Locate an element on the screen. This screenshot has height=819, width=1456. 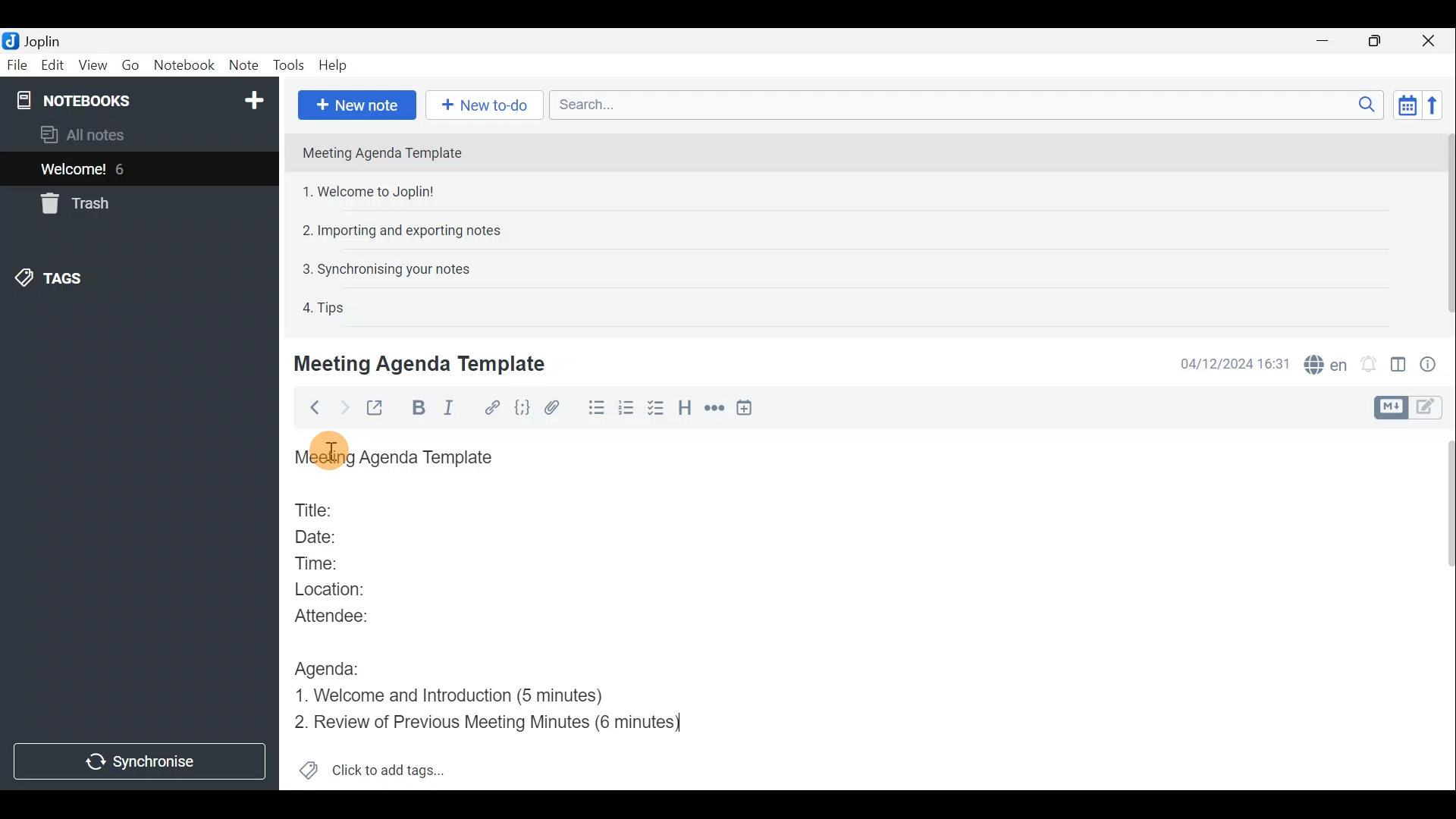
Help is located at coordinates (336, 65).